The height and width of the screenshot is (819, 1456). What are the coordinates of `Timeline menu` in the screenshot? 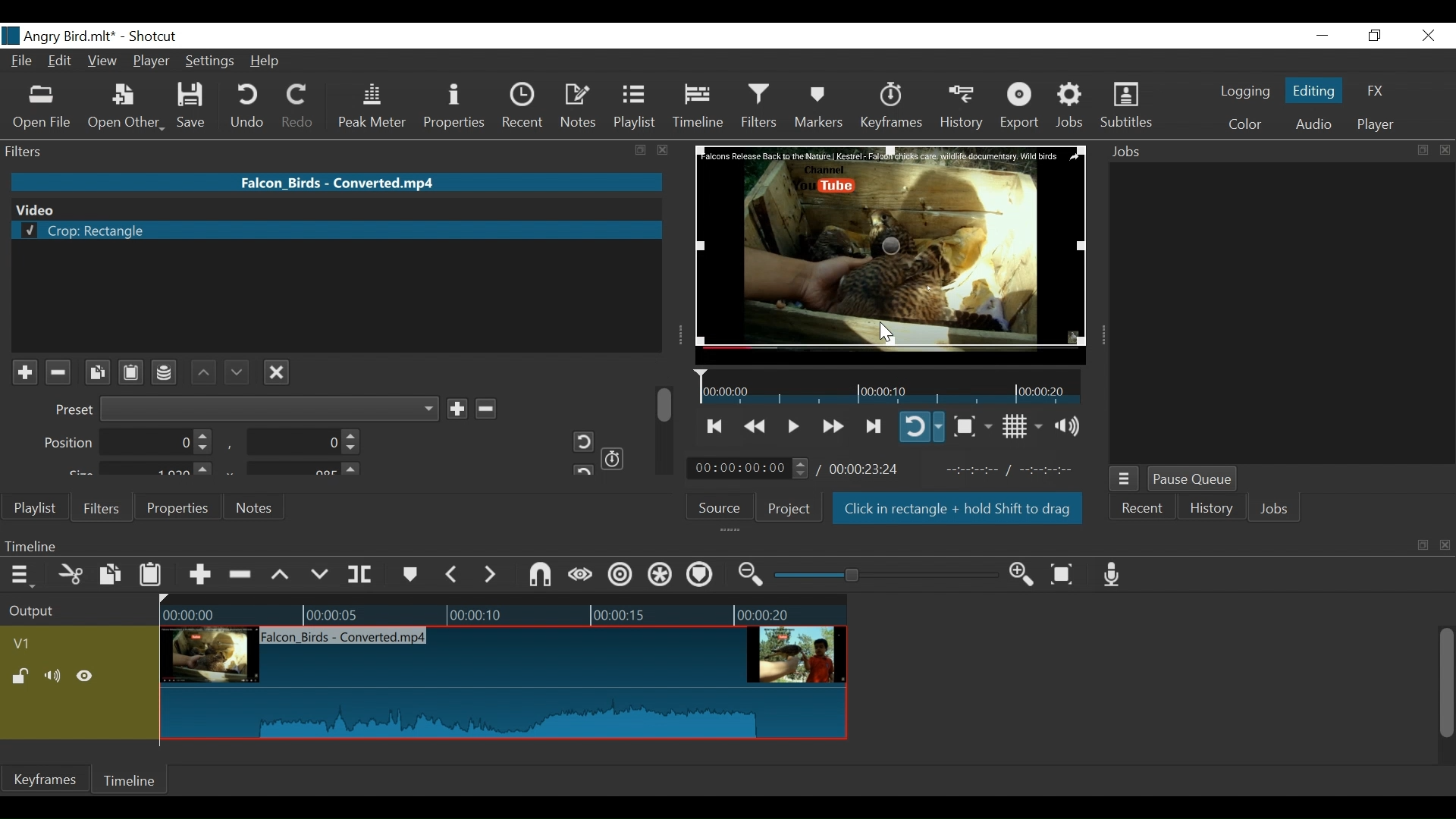 It's located at (24, 574).